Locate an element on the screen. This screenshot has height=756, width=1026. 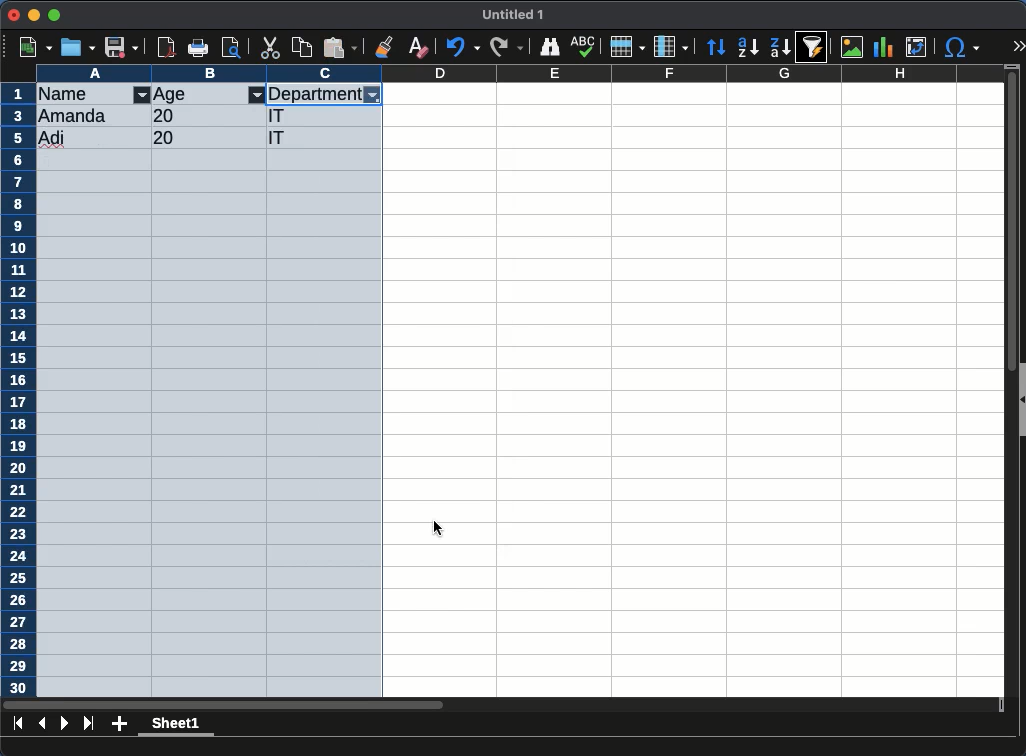
filter is located at coordinates (257, 95).